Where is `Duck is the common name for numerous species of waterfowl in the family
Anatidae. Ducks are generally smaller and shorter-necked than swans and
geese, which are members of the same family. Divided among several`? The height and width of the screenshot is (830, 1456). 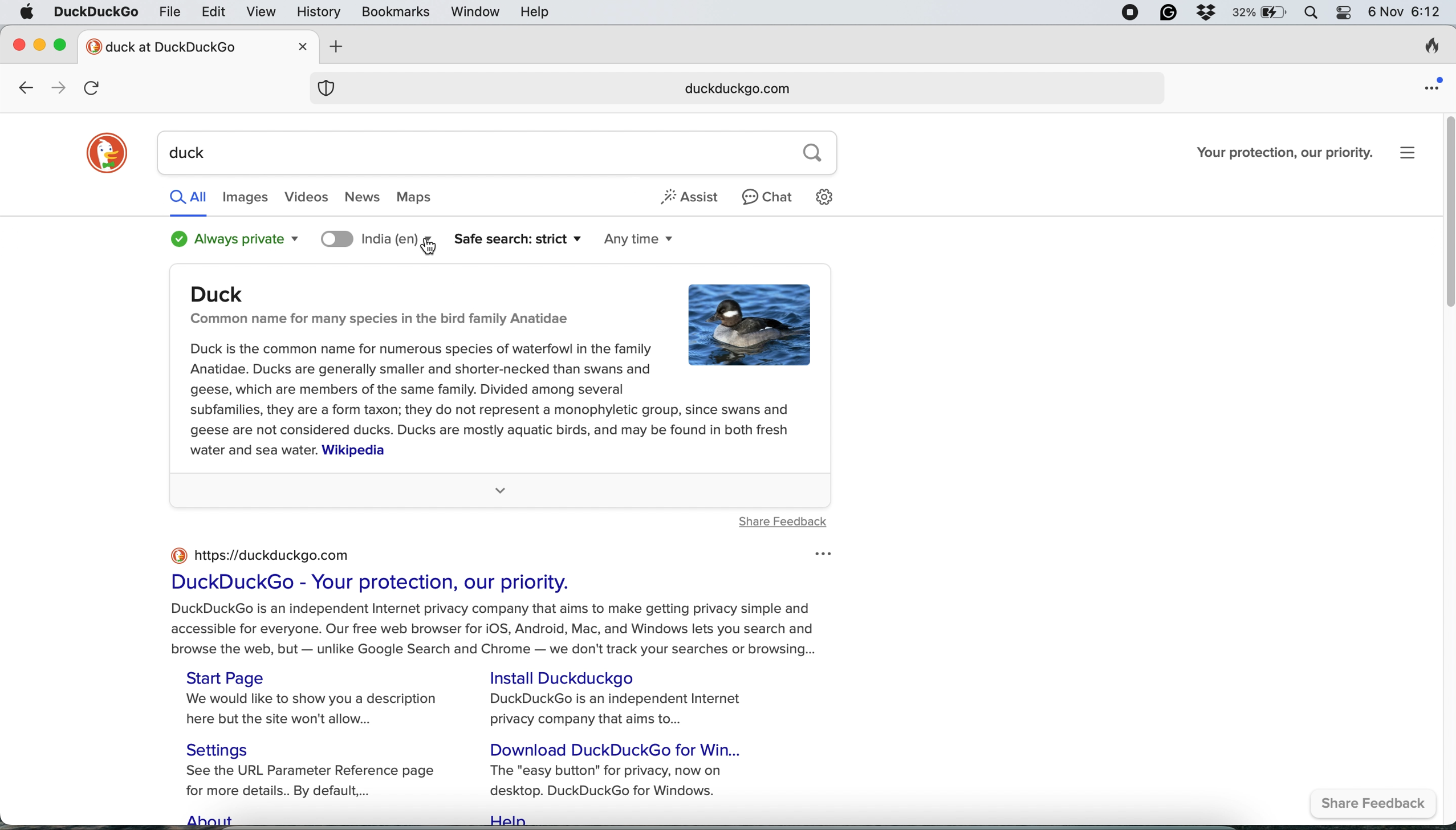 Duck is the common name for numerous species of waterfowl in the family
Anatidae. Ducks are generally smaller and shorter-necked than swans and
geese, which are members of the same family. Divided among several is located at coordinates (421, 367).